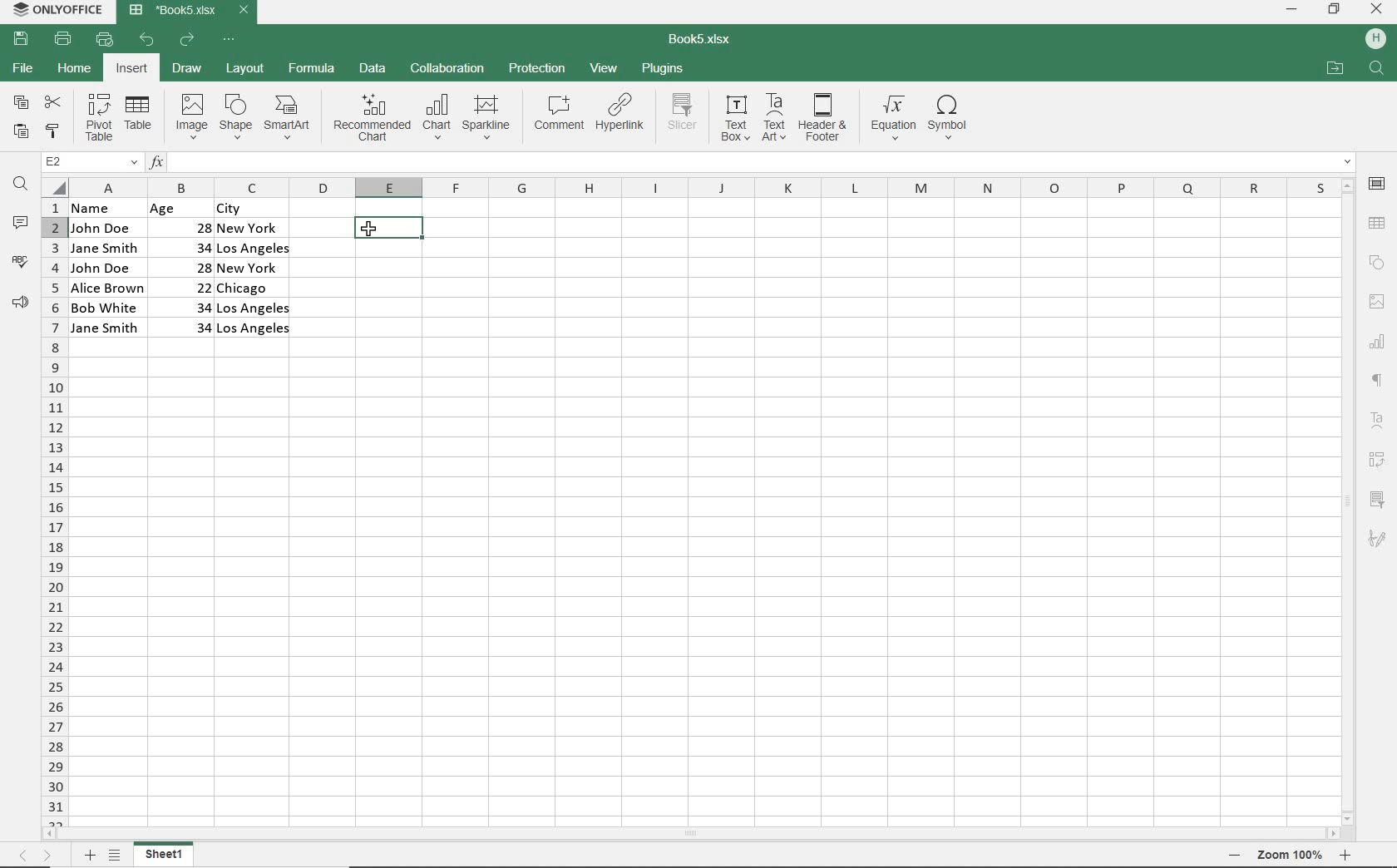  I want to click on FEEDBACK & SUPPORT, so click(20, 303).